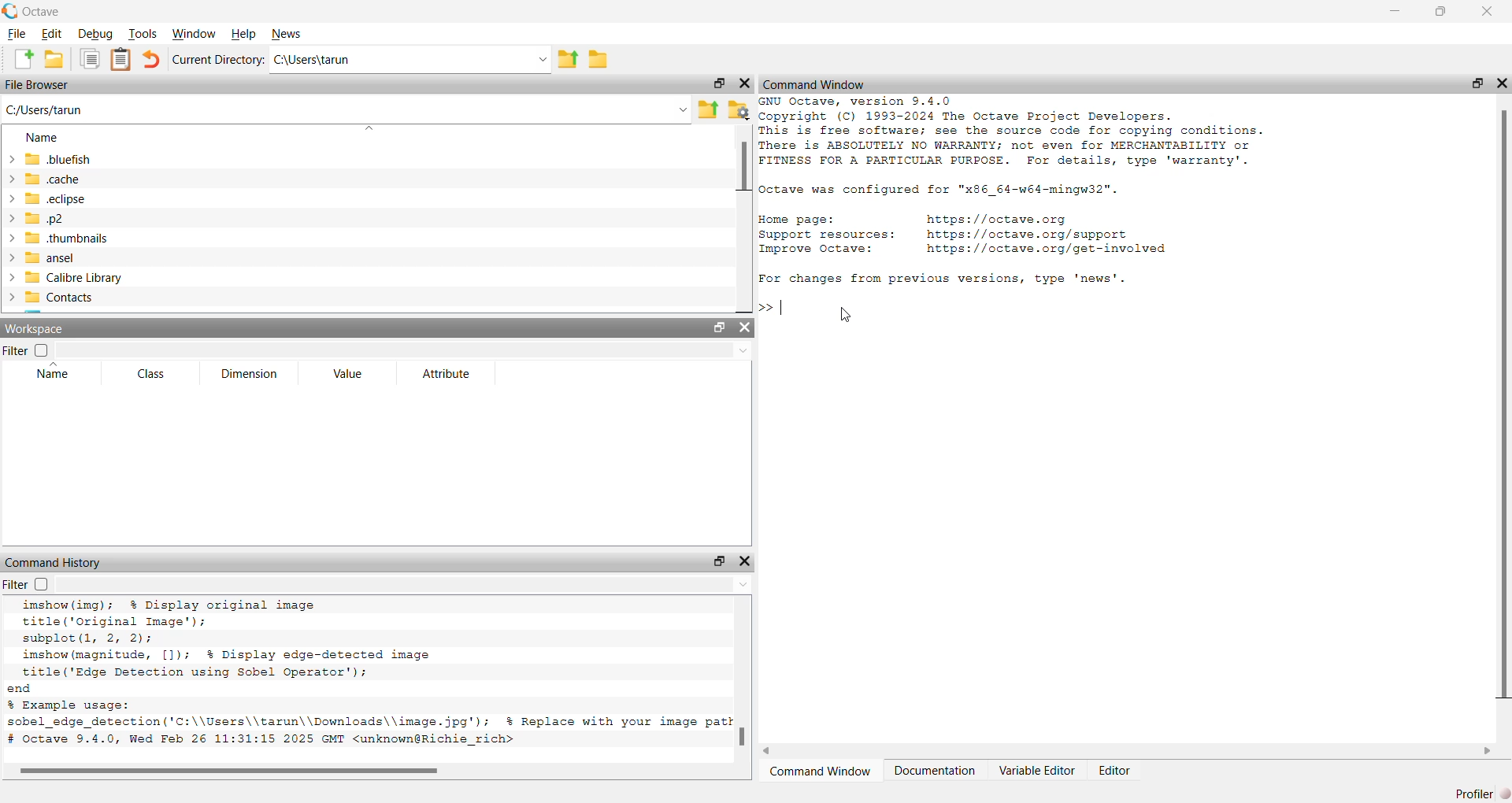  Describe the element at coordinates (94, 35) in the screenshot. I see `Debug` at that location.